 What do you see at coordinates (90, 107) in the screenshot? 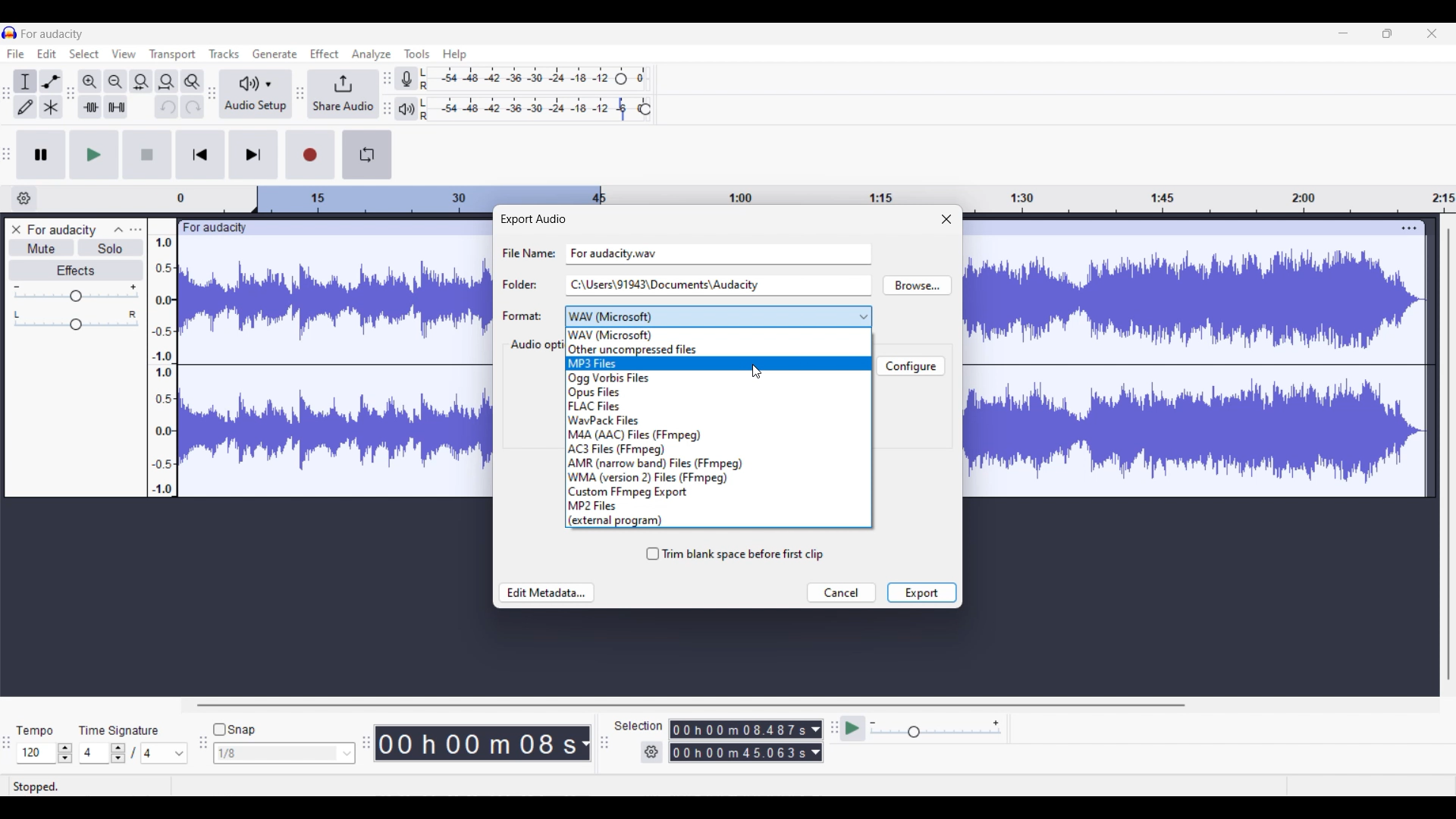
I see `Trim audio outside selection` at bounding box center [90, 107].